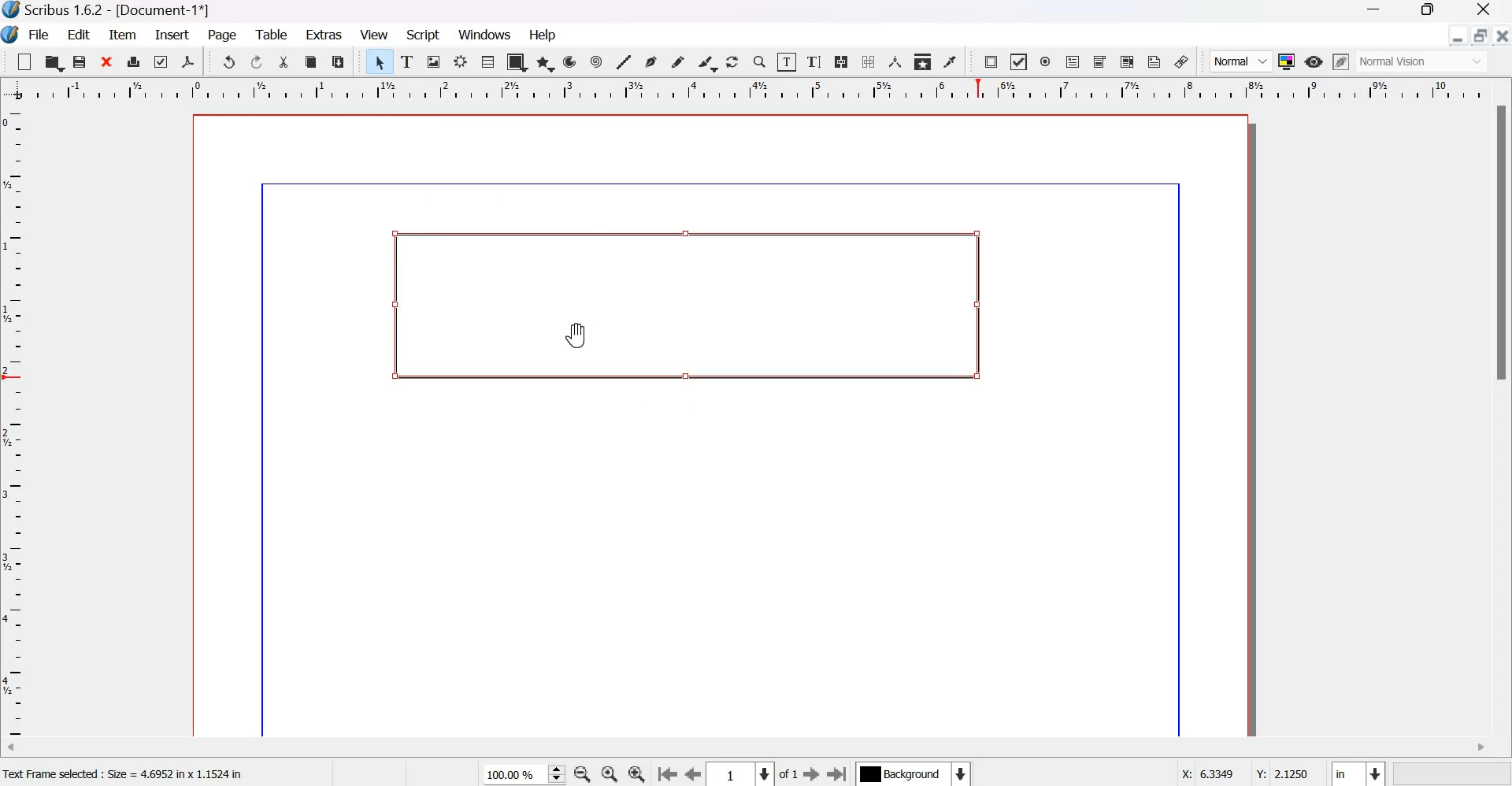 This screenshot has height=786, width=1512. I want to click on Go to the last page, so click(838, 773).